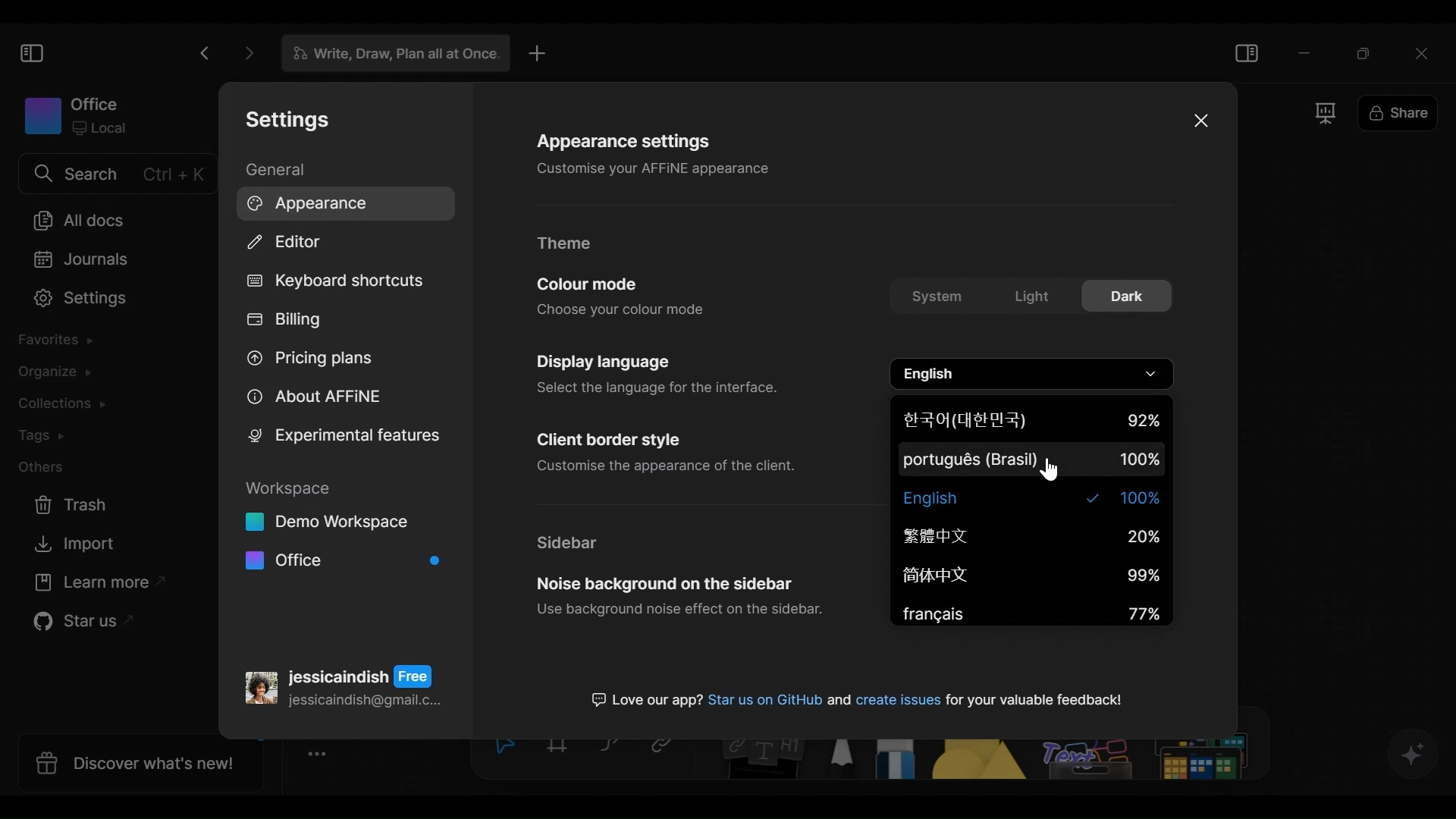 The image size is (1456, 819). What do you see at coordinates (344, 435) in the screenshot?
I see `Experimental features` at bounding box center [344, 435].